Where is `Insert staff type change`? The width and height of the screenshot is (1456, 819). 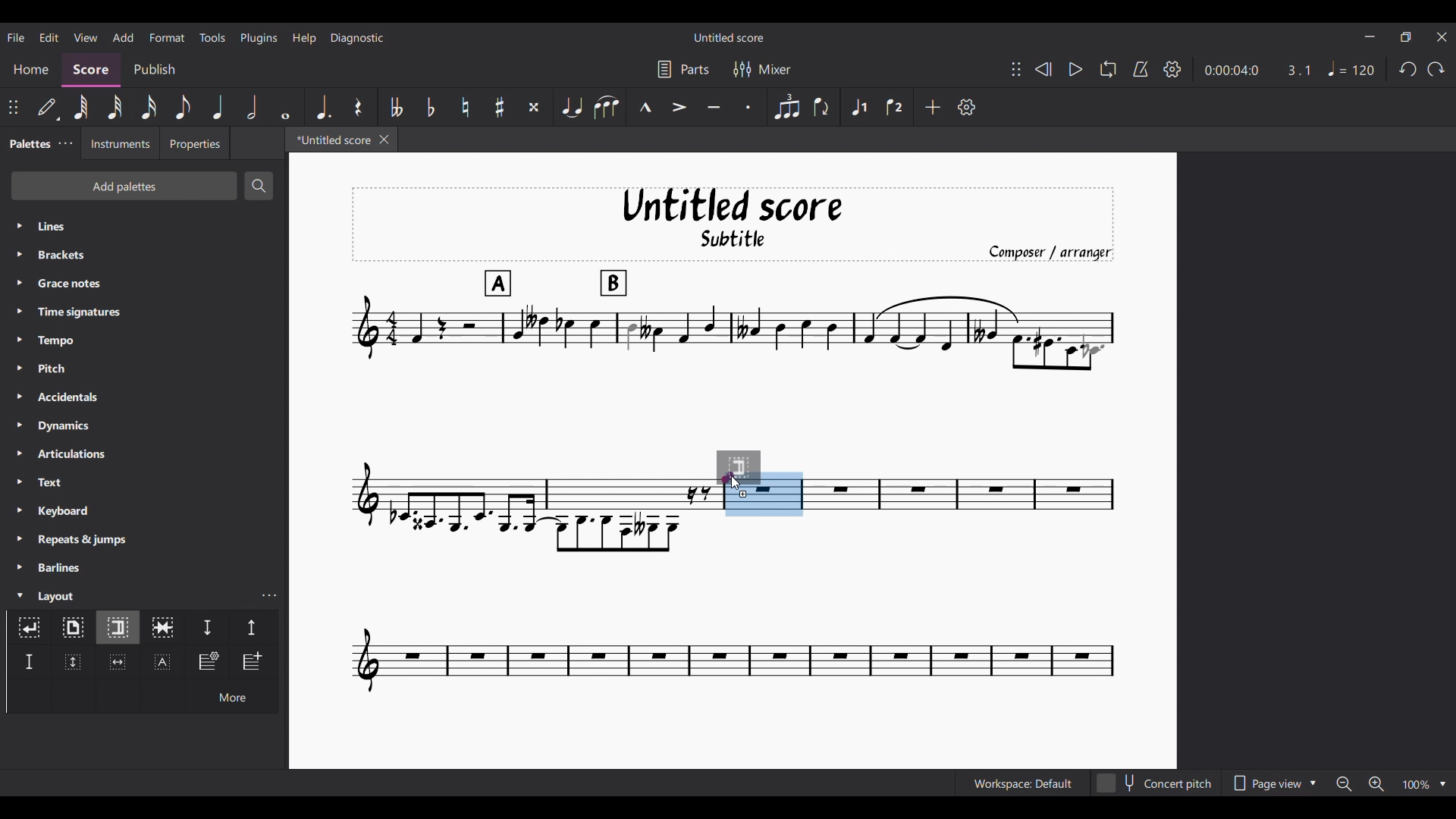 Insert staff type change is located at coordinates (207, 661).